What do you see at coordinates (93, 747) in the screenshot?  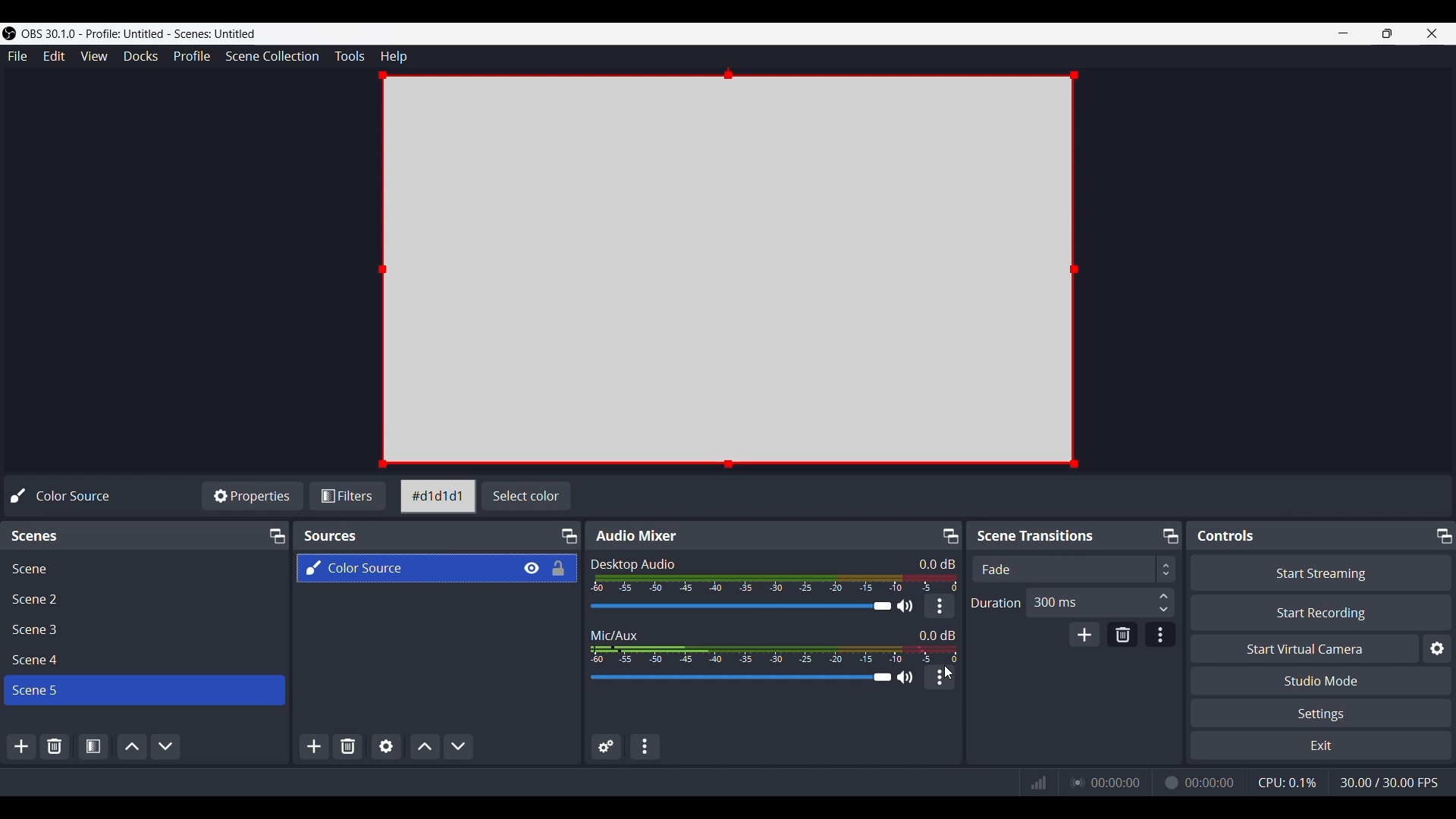 I see `Open Scene Properties` at bounding box center [93, 747].